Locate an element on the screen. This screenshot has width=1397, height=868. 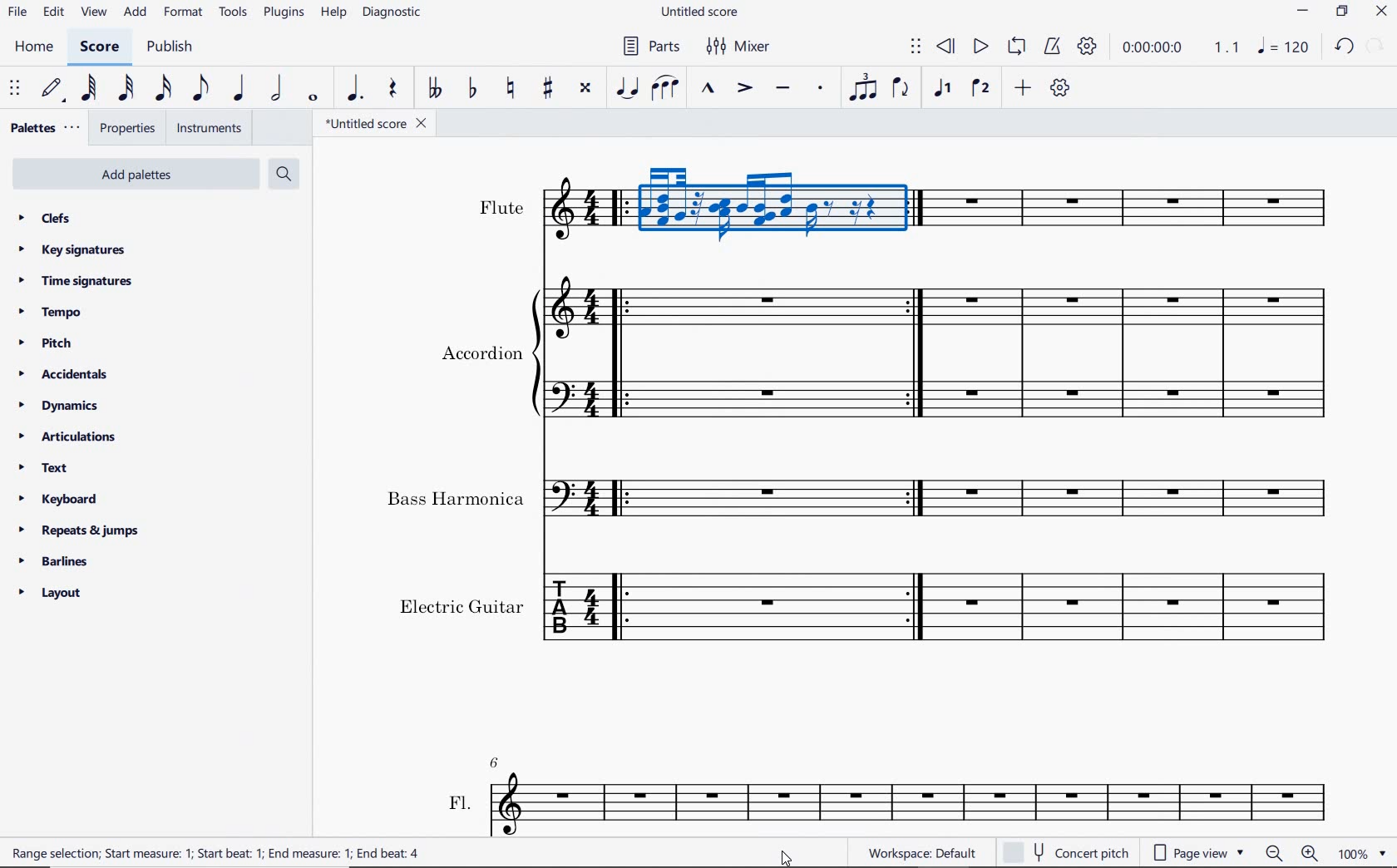
RESTORE DOWN is located at coordinates (1342, 13).